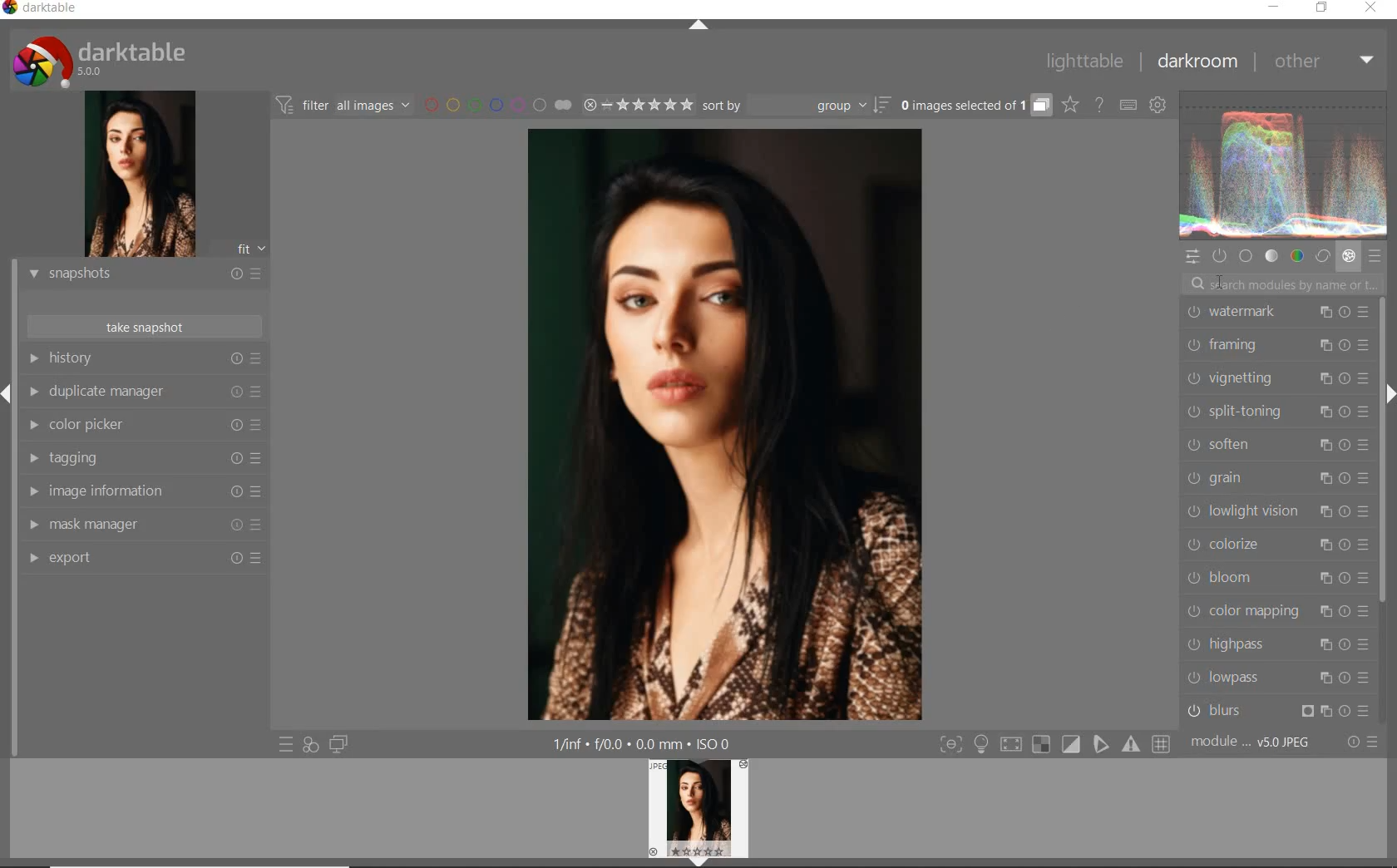 This screenshot has height=868, width=1397. I want to click on waveform, so click(1286, 166).